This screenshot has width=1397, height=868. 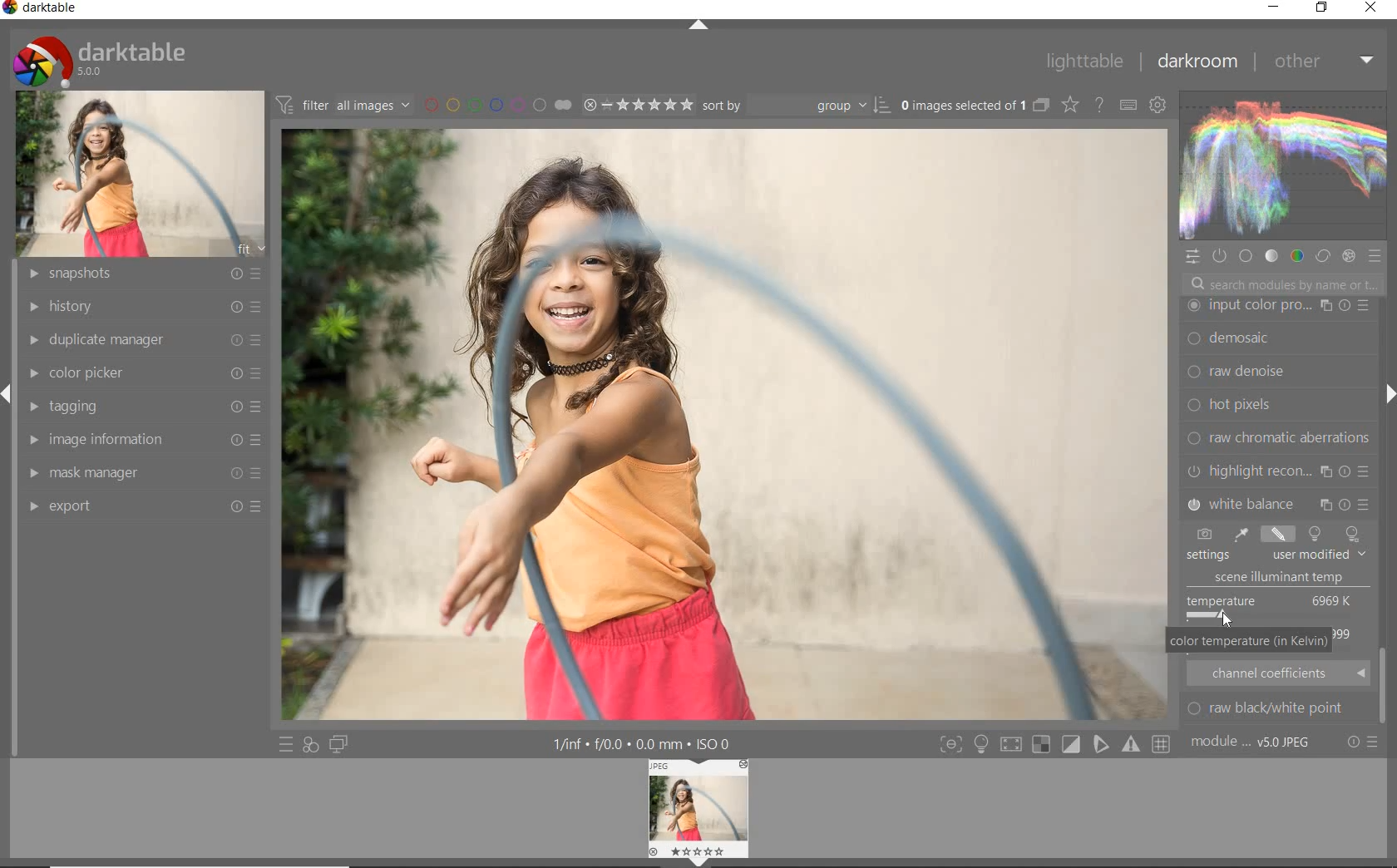 What do you see at coordinates (139, 305) in the screenshot?
I see `history` at bounding box center [139, 305].